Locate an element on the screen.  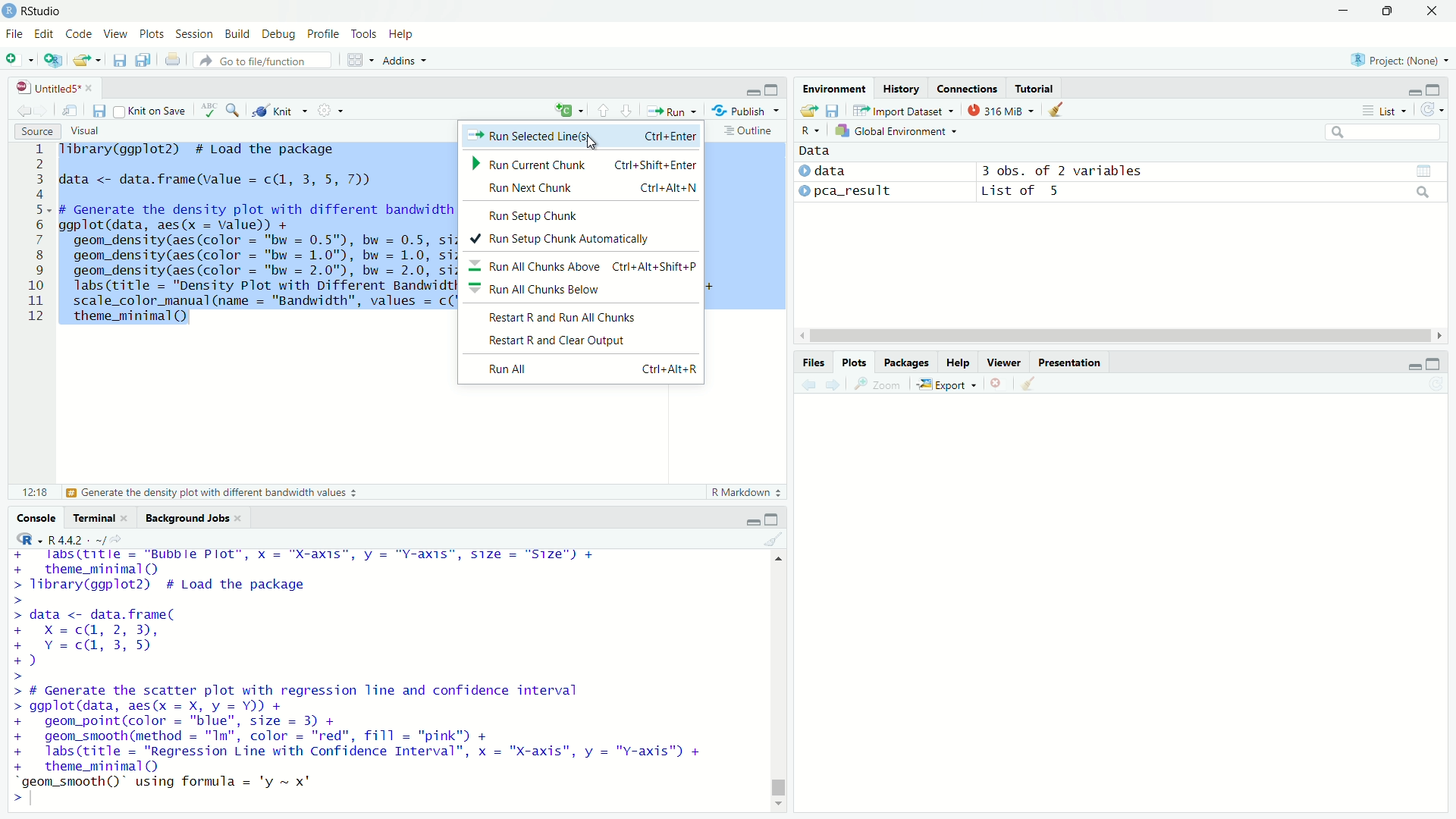
Run All Chunks Below is located at coordinates (582, 290).